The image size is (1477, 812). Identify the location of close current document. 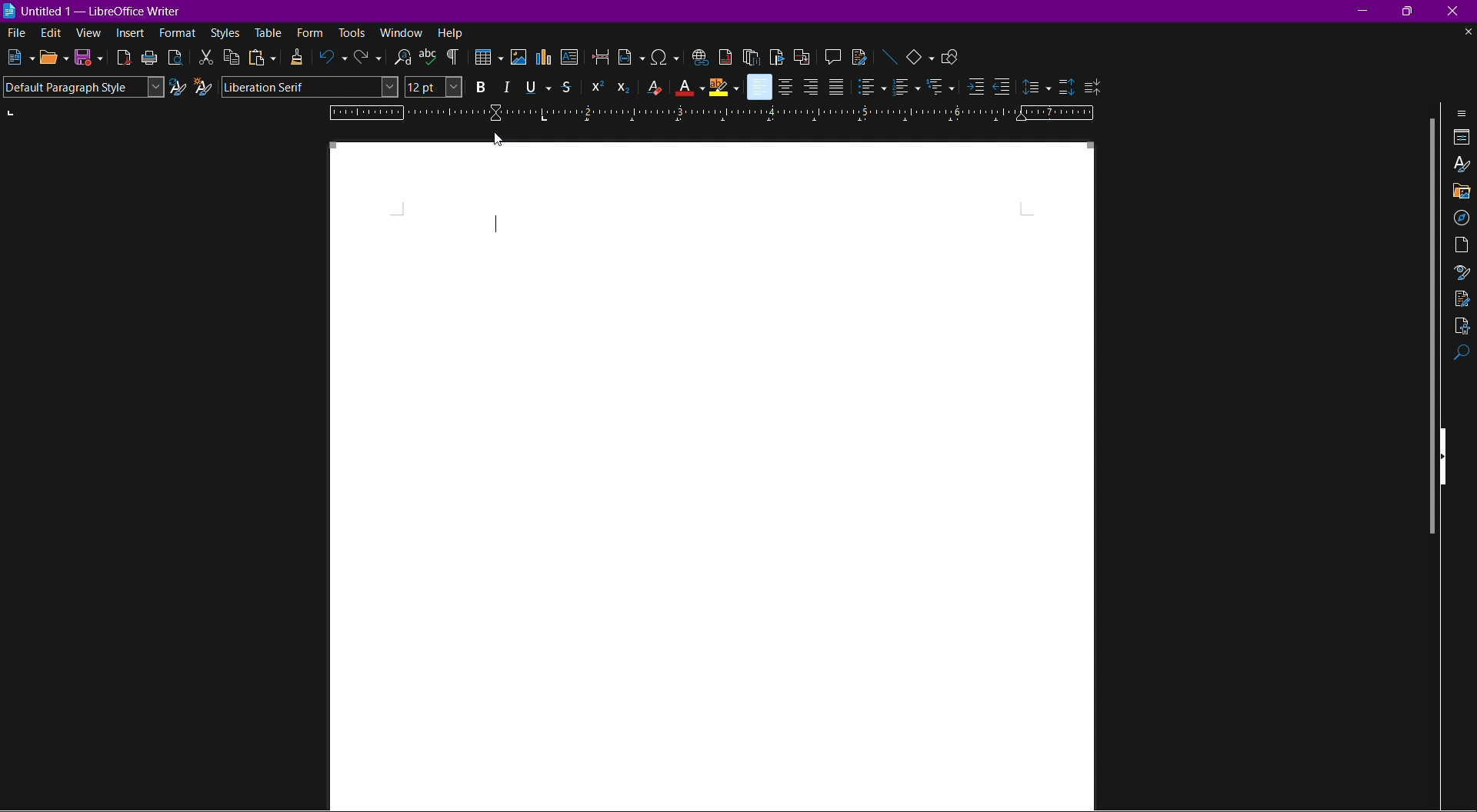
(1467, 32).